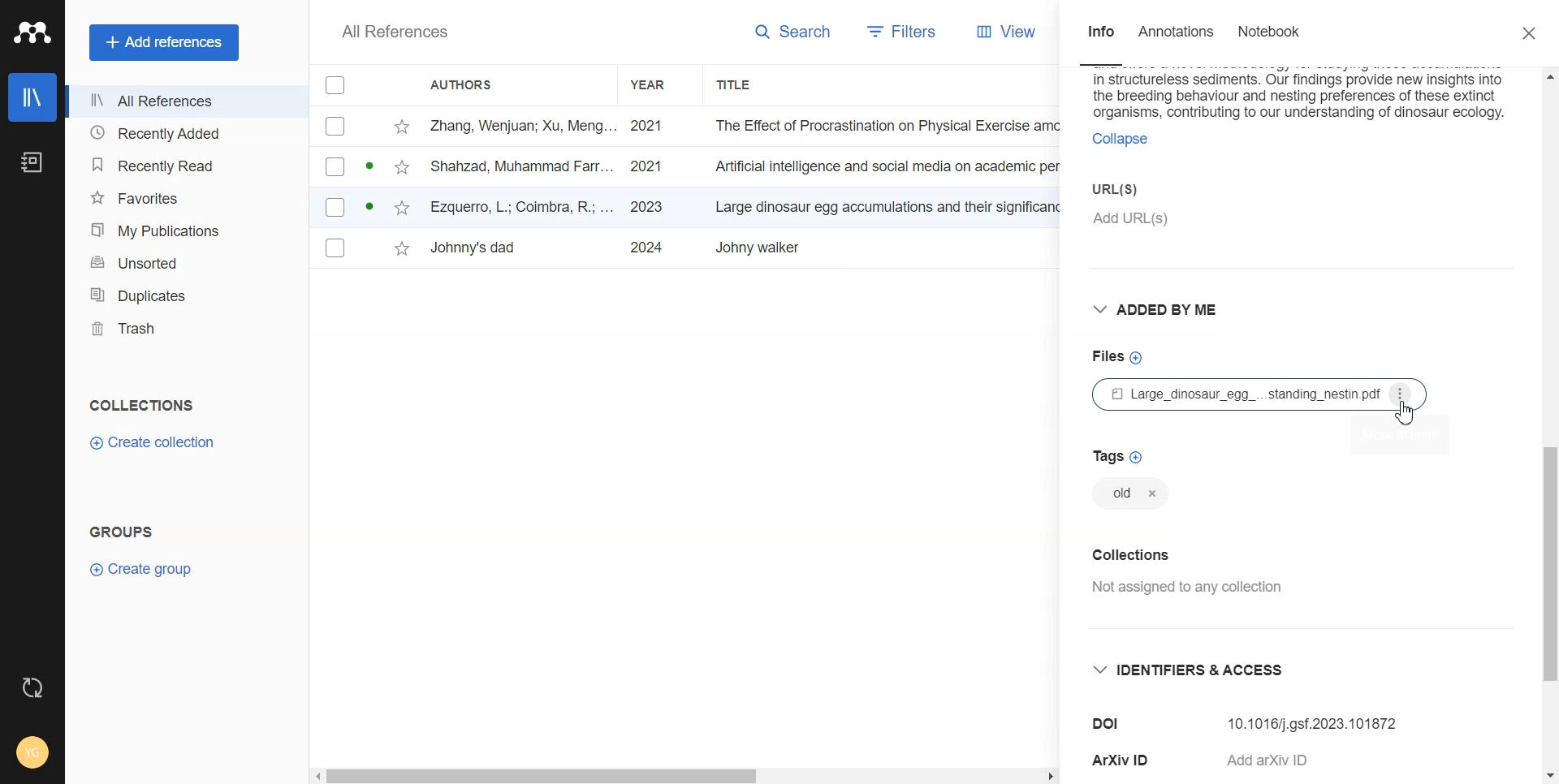 Image resolution: width=1559 pixels, height=784 pixels. What do you see at coordinates (644, 166) in the screenshot?
I see `2021` at bounding box center [644, 166].